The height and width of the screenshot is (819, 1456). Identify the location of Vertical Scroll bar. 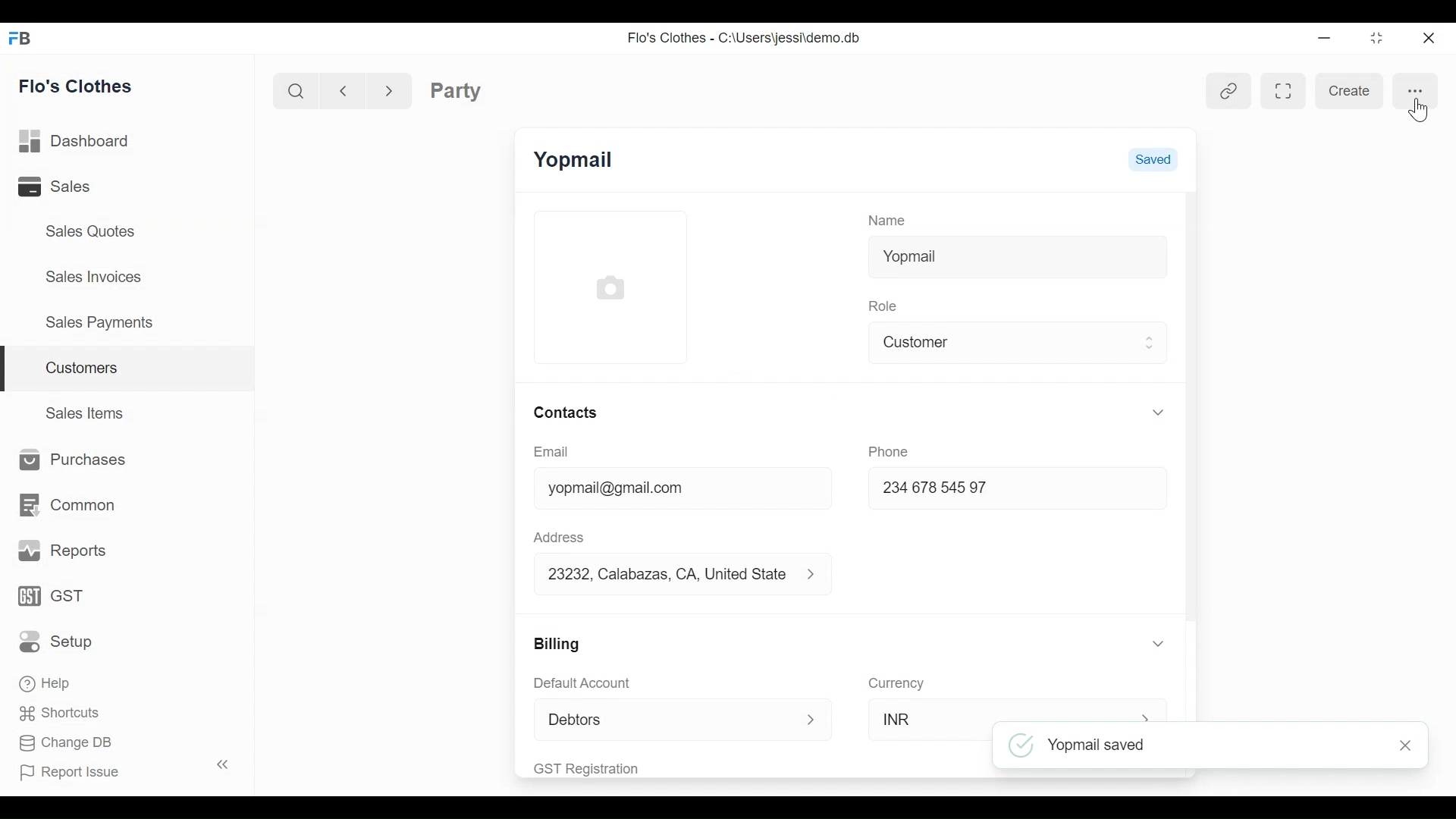
(1194, 407).